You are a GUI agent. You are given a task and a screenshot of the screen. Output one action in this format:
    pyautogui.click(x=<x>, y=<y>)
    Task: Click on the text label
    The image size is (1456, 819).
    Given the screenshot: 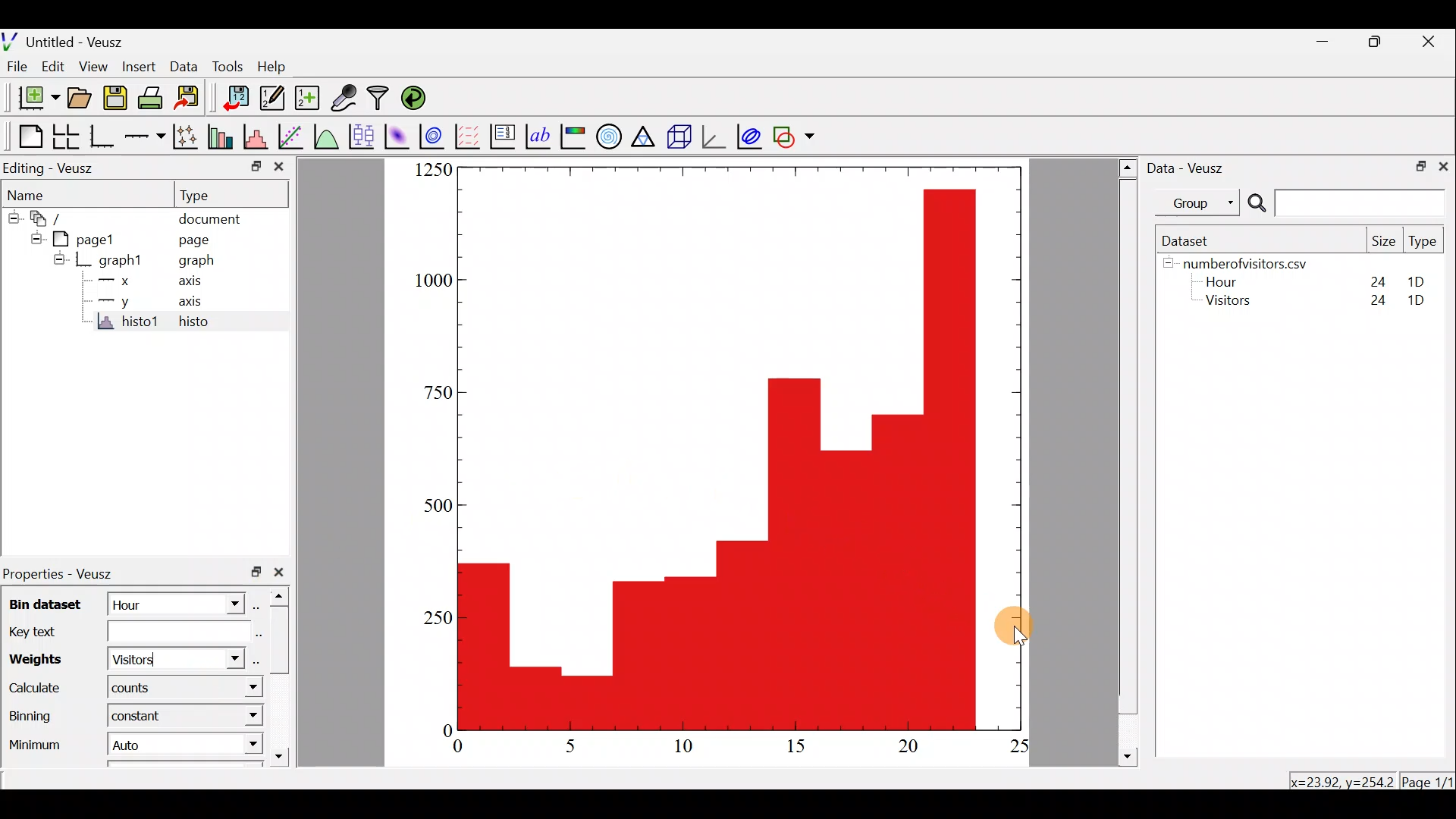 What is the action you would take?
    pyautogui.click(x=538, y=136)
    